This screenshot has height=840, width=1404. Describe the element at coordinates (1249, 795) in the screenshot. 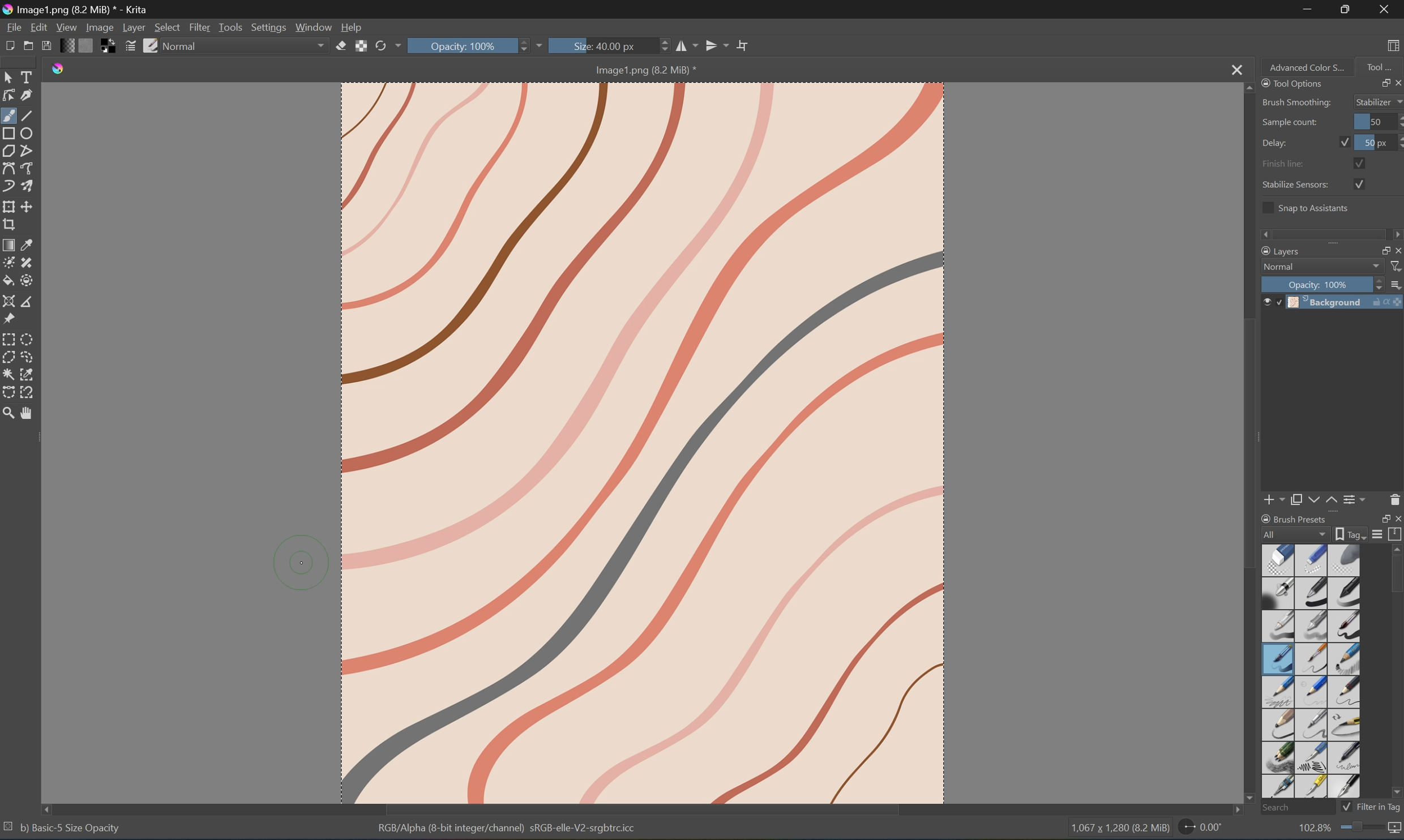

I see `Scroll Down` at that location.